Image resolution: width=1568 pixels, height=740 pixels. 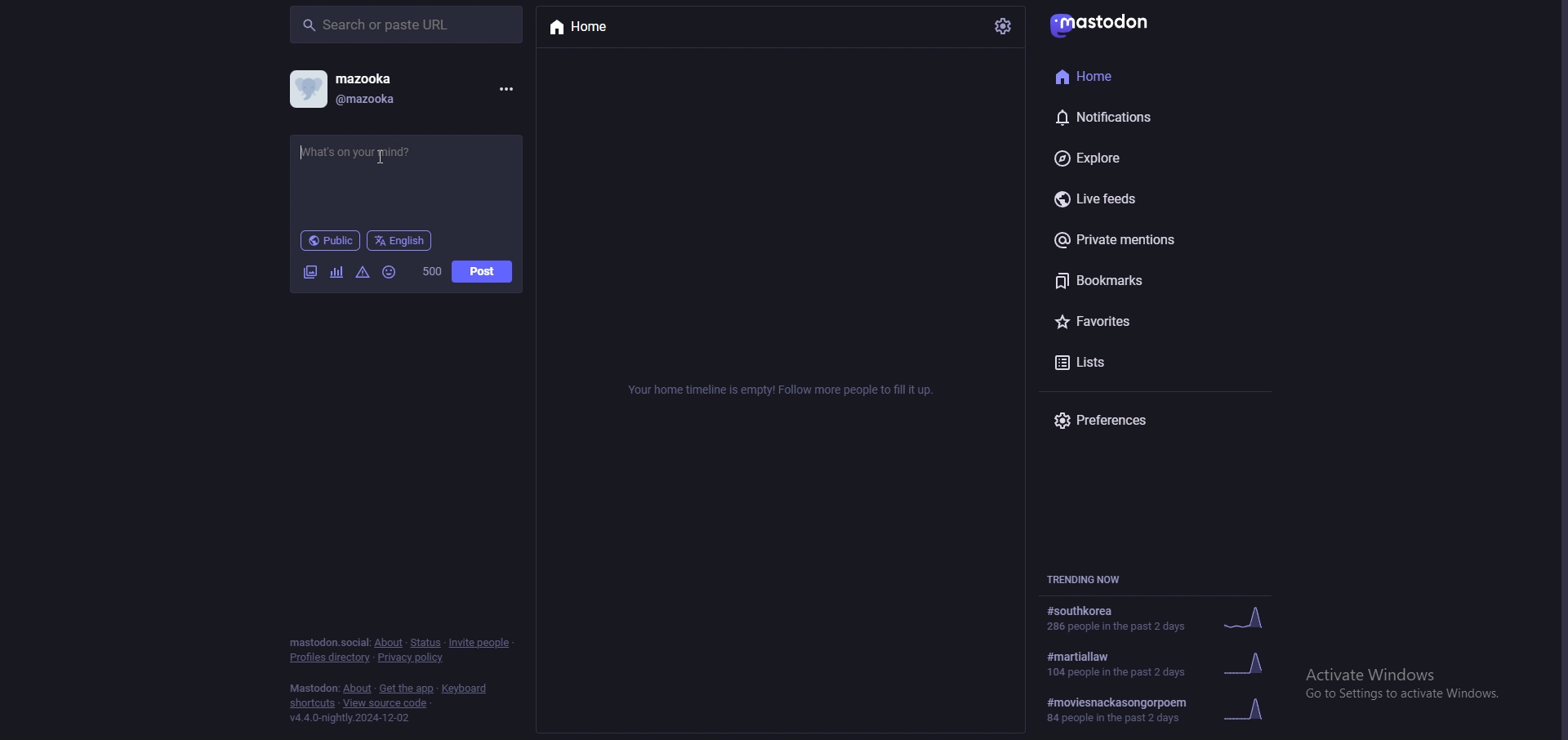 What do you see at coordinates (1416, 682) in the screenshot?
I see `Windows activation prompt` at bounding box center [1416, 682].